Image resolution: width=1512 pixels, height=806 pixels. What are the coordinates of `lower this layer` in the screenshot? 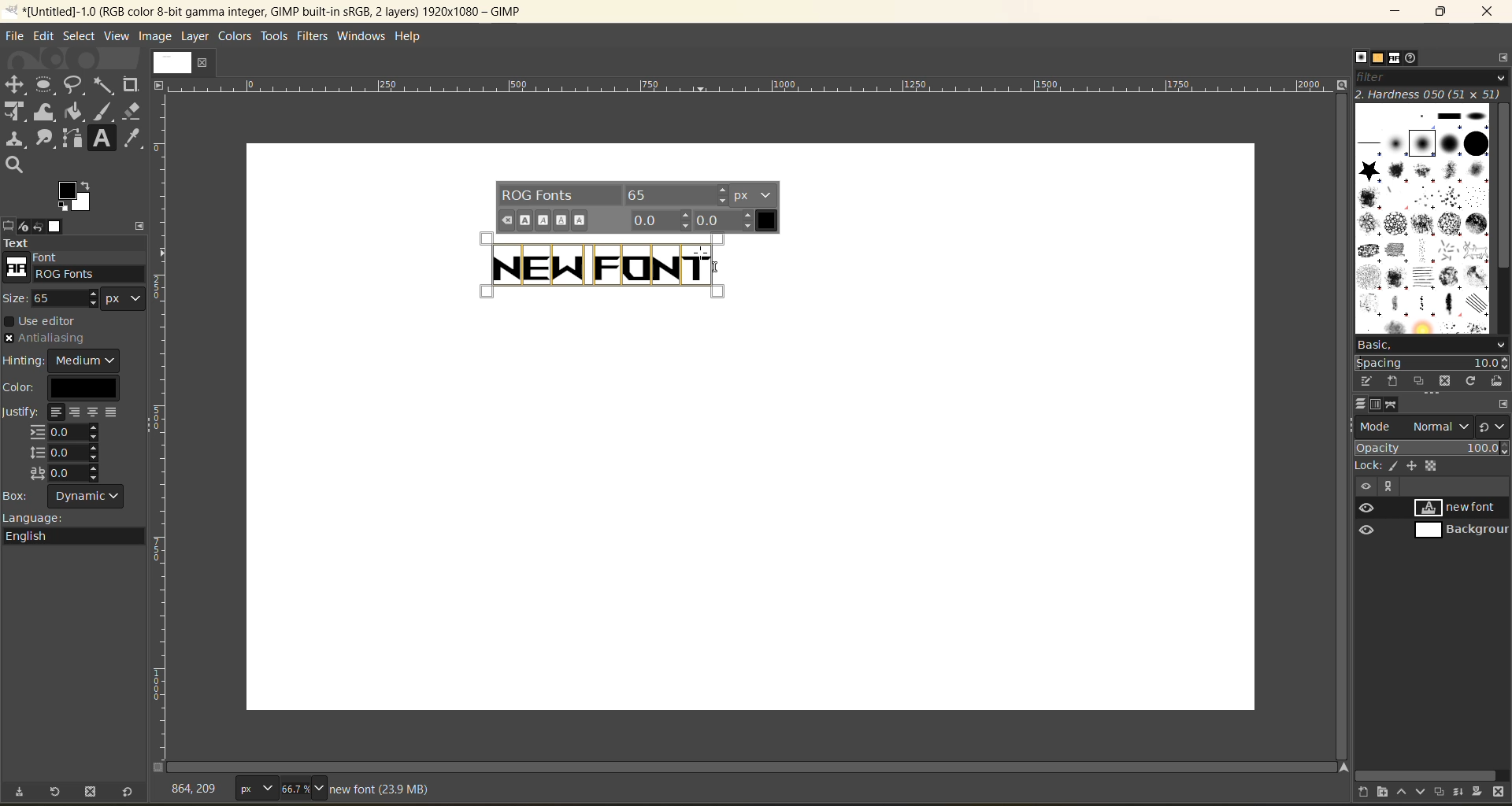 It's located at (1423, 791).